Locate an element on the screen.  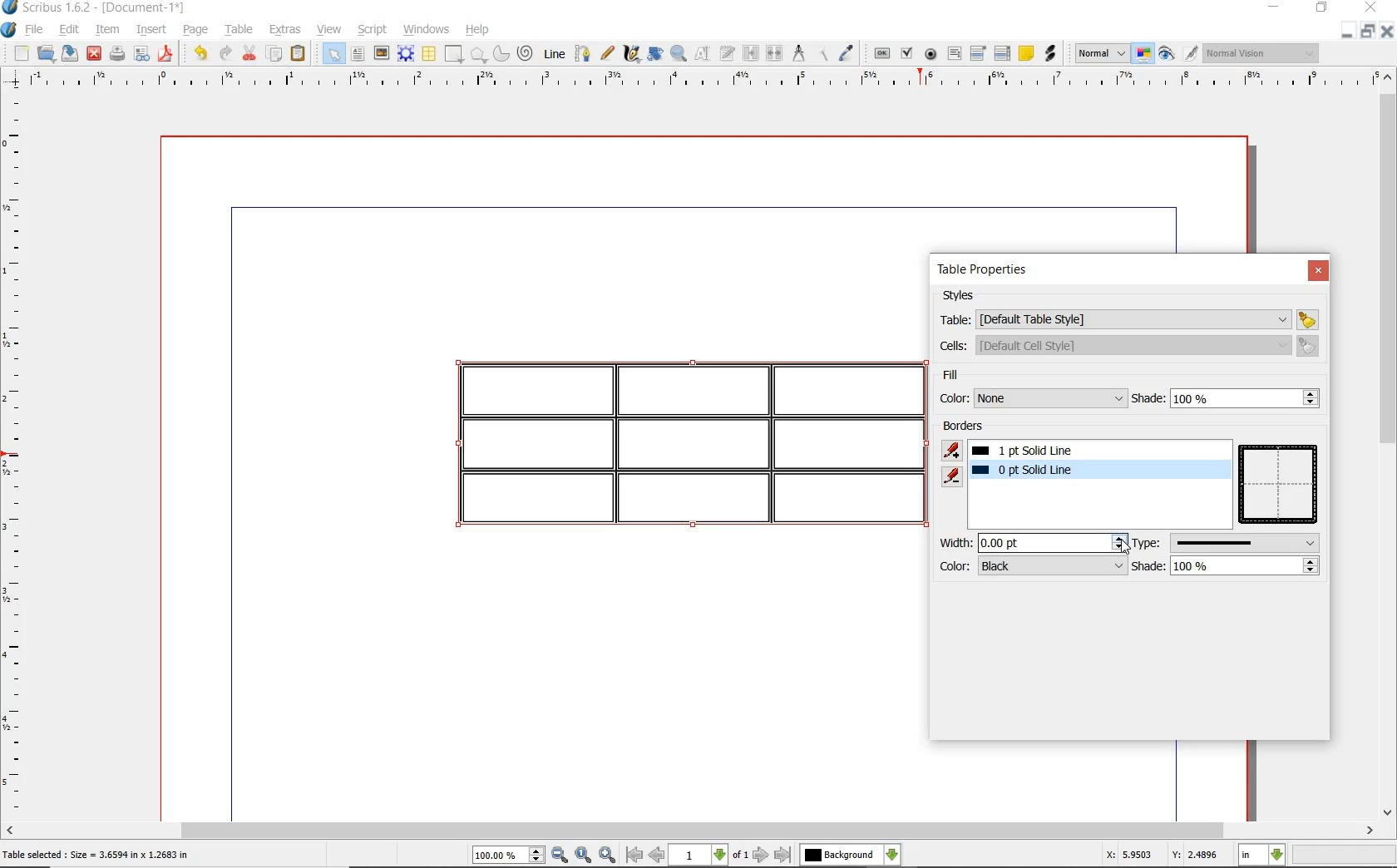
table preview is located at coordinates (1281, 486).